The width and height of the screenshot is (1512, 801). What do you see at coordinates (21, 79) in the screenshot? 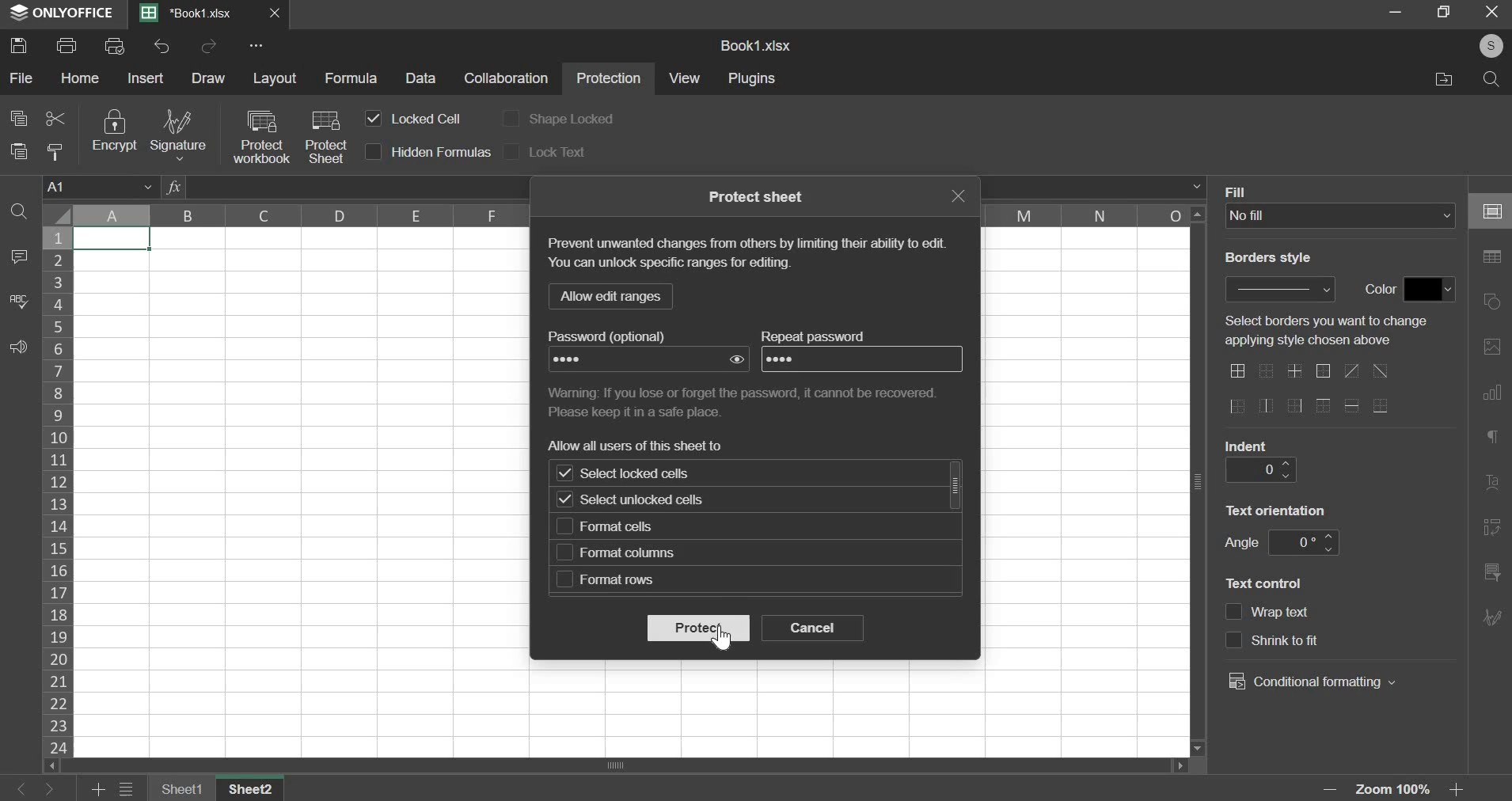
I see `file` at bounding box center [21, 79].